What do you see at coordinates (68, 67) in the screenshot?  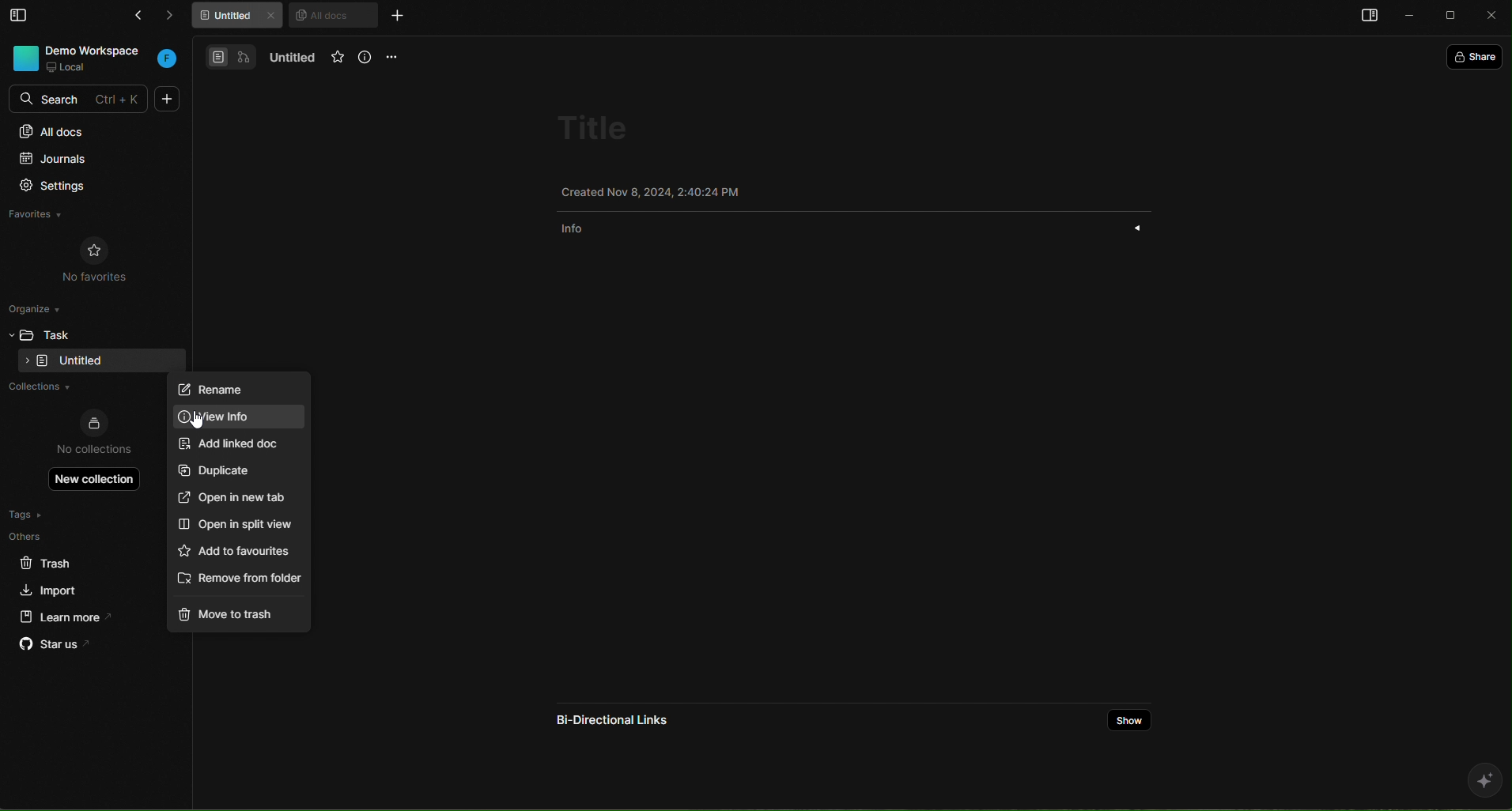 I see `local` at bounding box center [68, 67].